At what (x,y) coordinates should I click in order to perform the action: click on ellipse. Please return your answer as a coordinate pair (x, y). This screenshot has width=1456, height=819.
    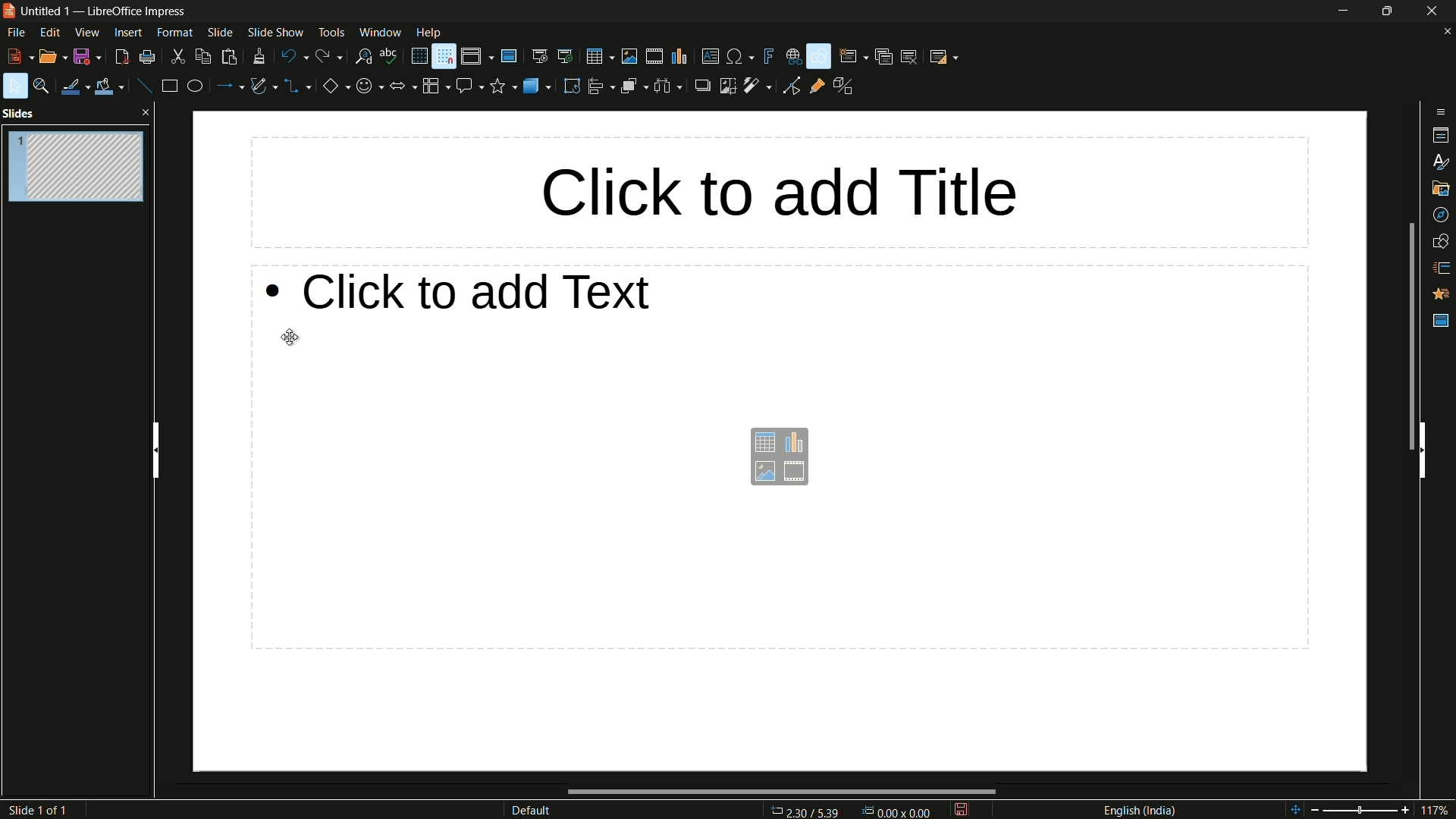
    Looking at the image, I should click on (194, 86).